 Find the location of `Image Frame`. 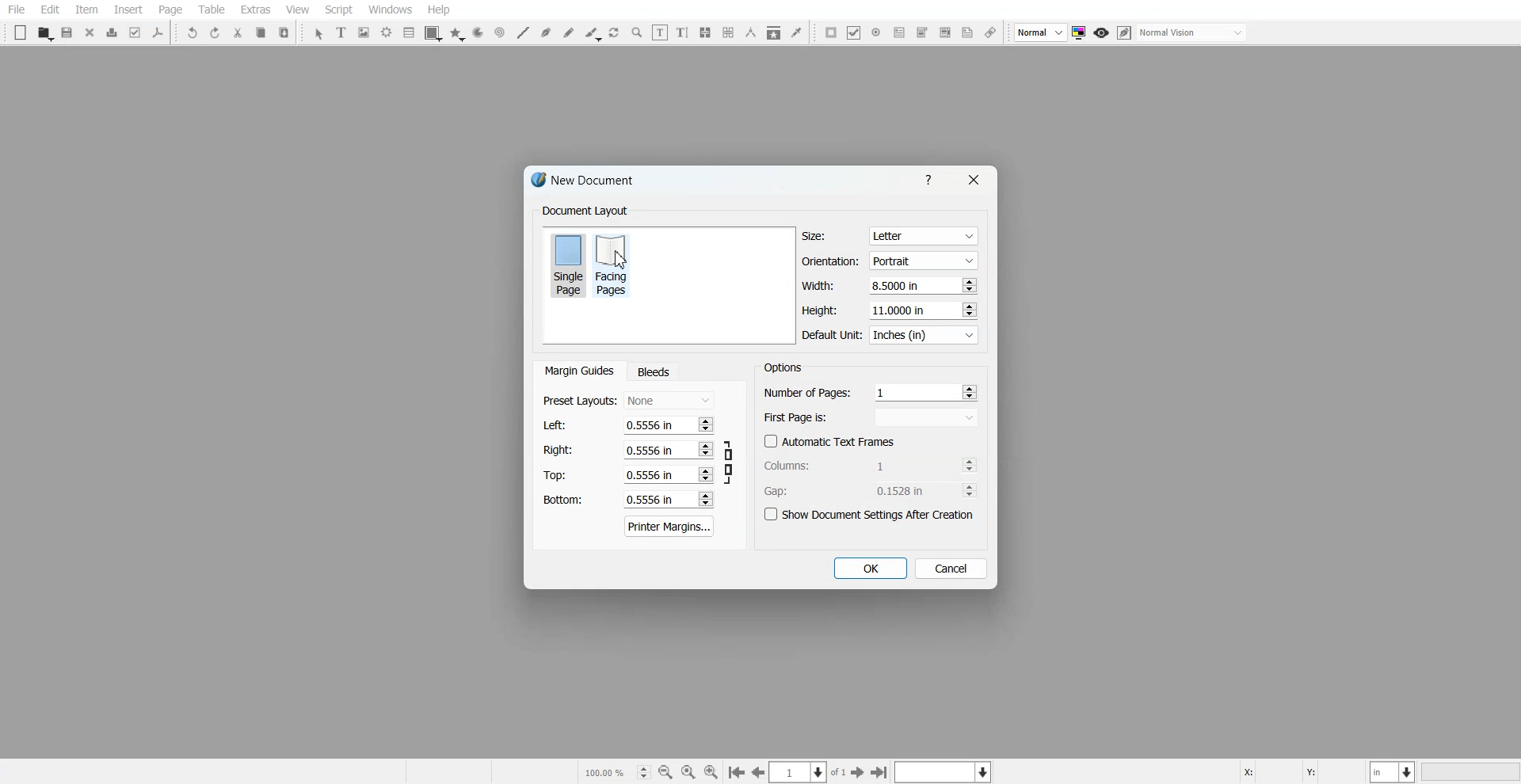

Image Frame is located at coordinates (364, 32).